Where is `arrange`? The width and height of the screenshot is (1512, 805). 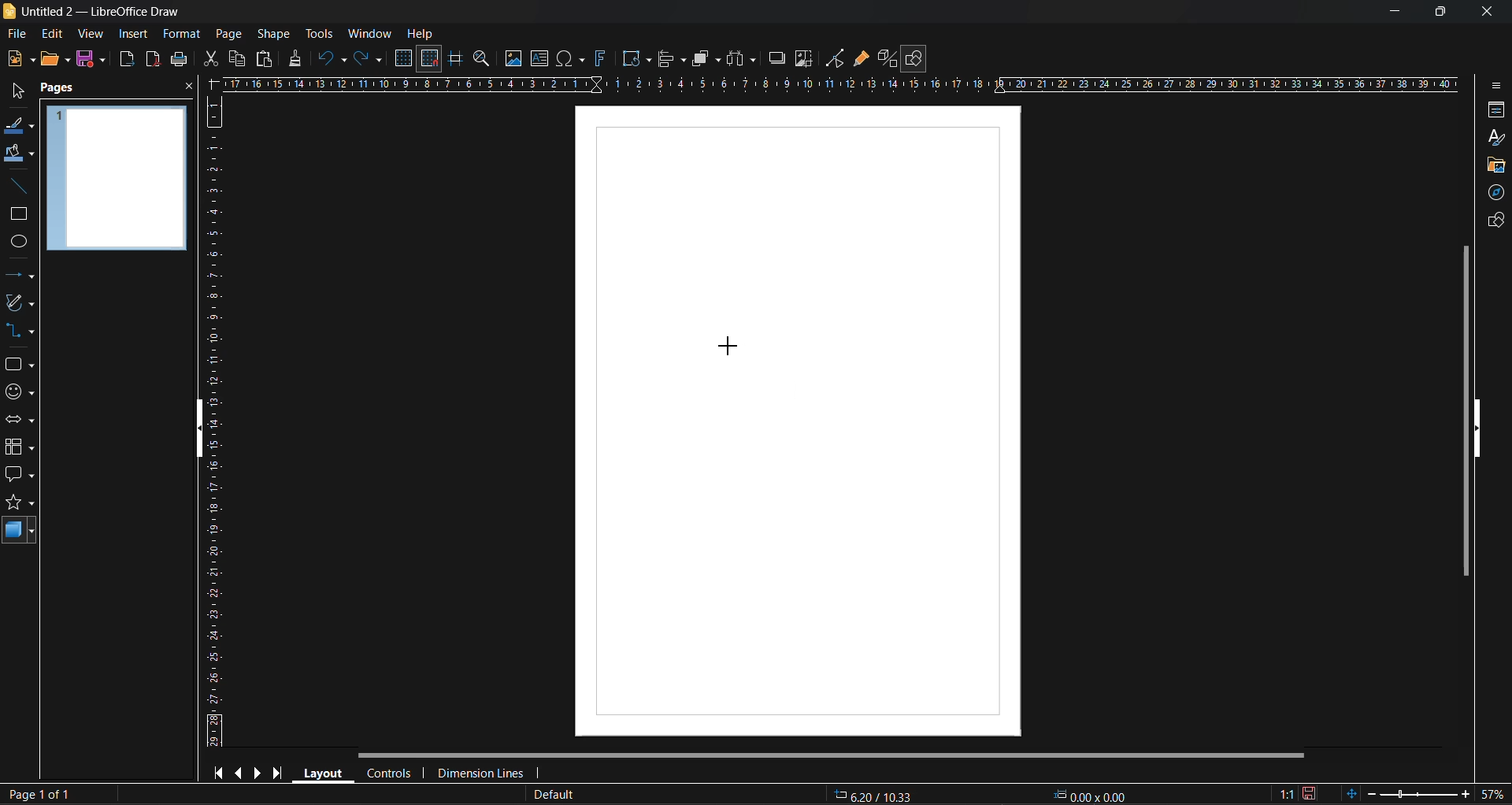
arrange is located at coordinates (704, 58).